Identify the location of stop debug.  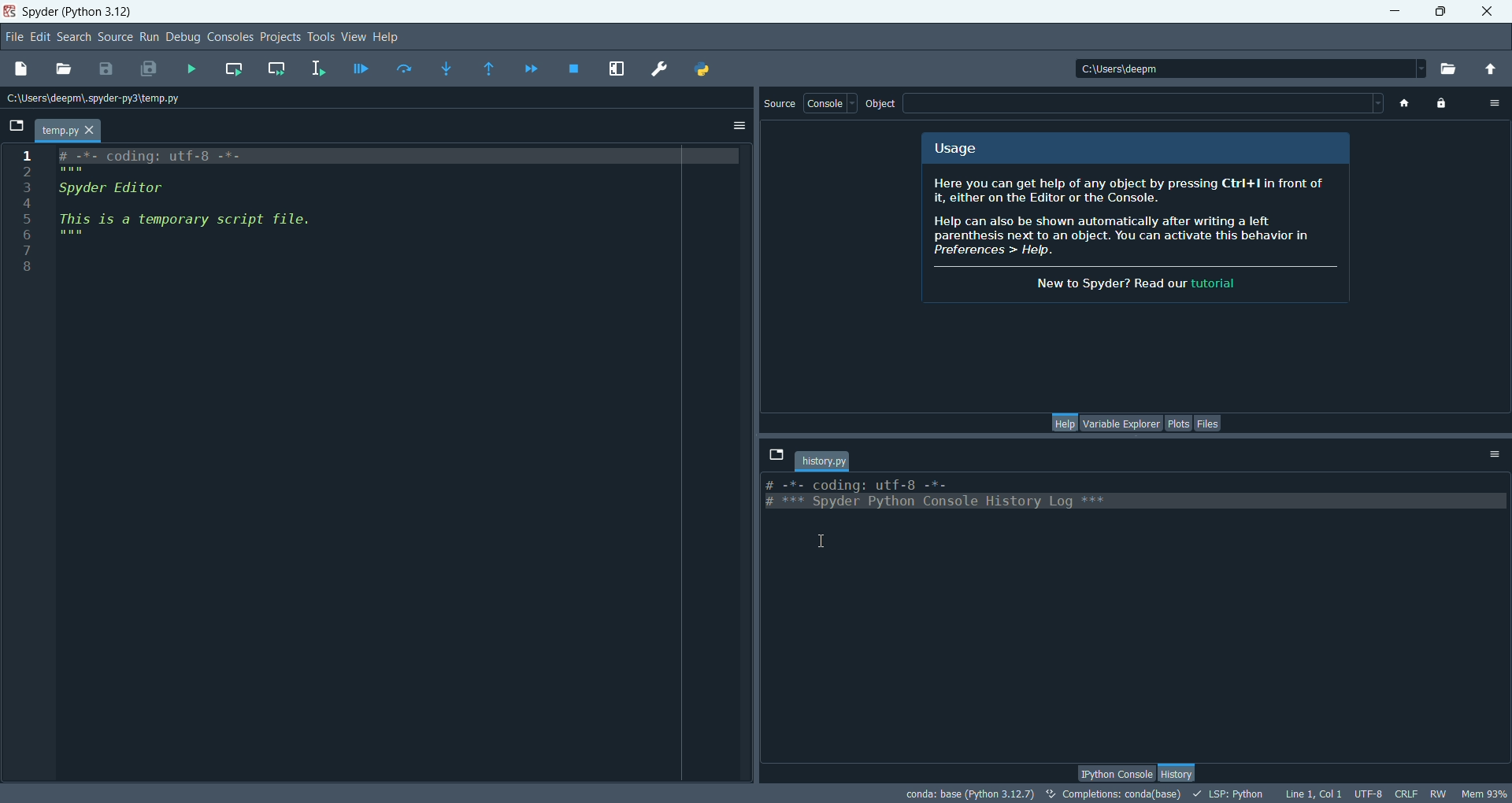
(575, 70).